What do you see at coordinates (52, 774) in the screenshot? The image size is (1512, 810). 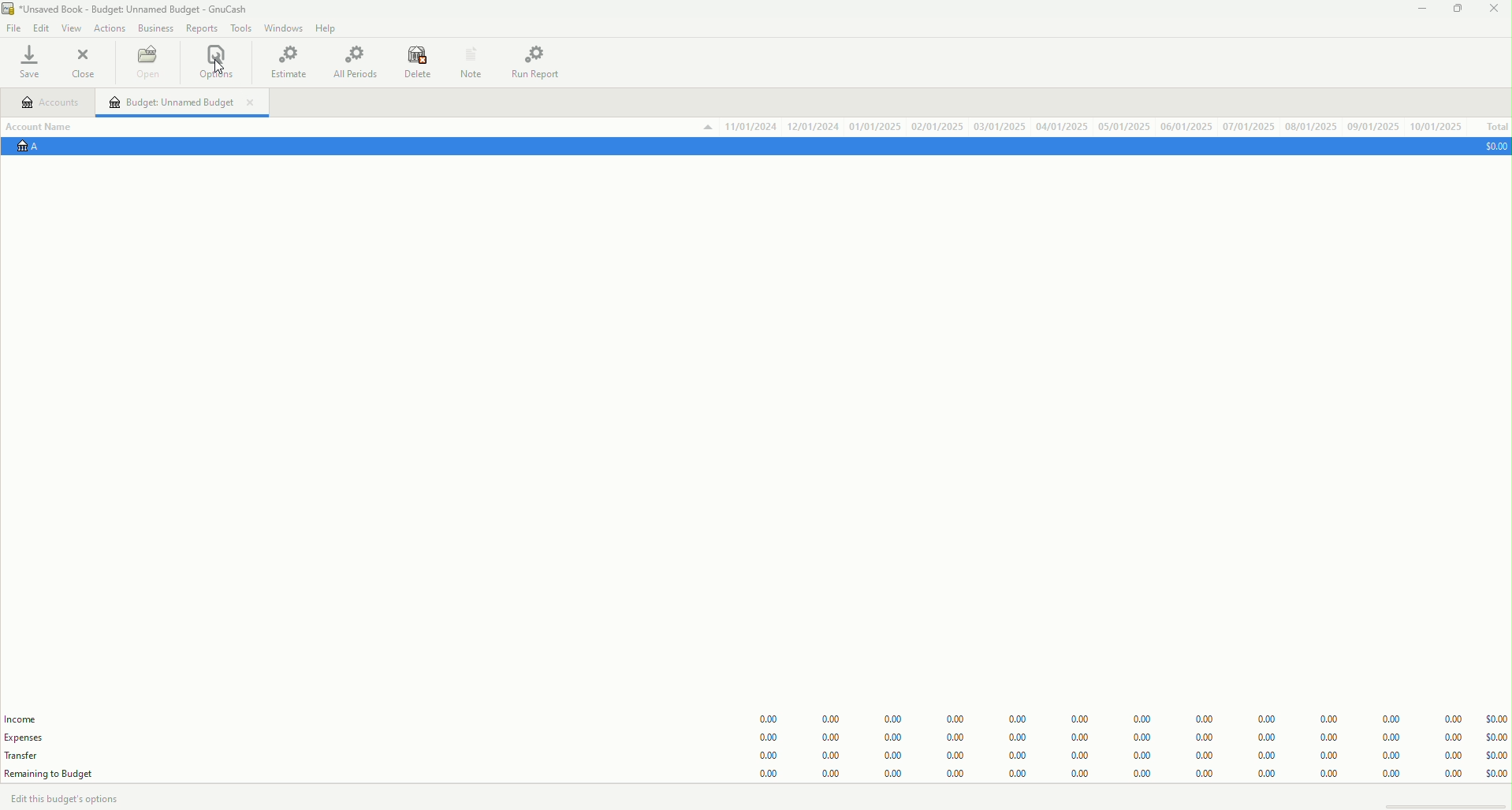 I see `Remaining to Budget` at bounding box center [52, 774].